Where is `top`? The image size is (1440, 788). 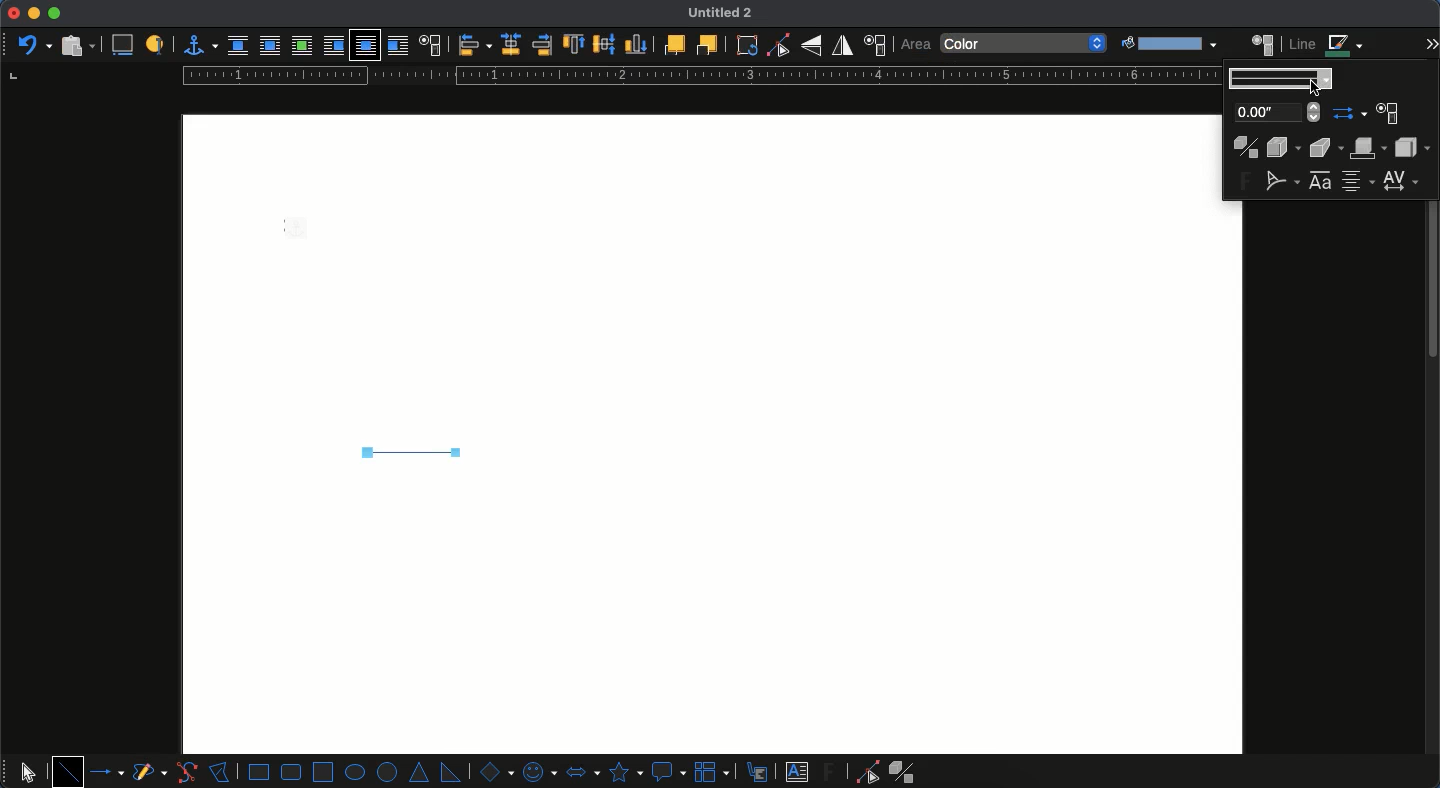
top is located at coordinates (575, 45).